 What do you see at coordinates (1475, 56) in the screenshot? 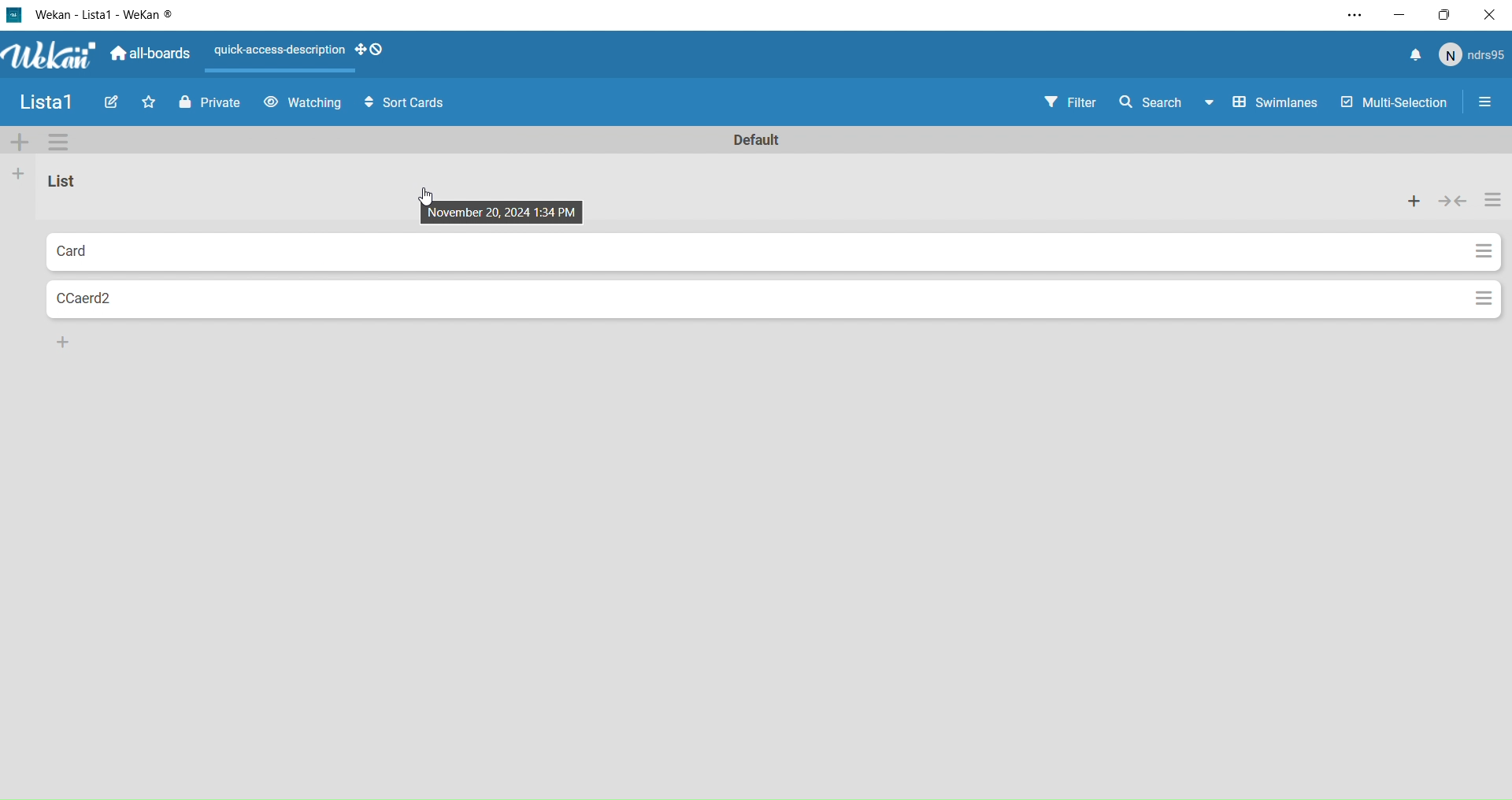
I see `User` at bounding box center [1475, 56].